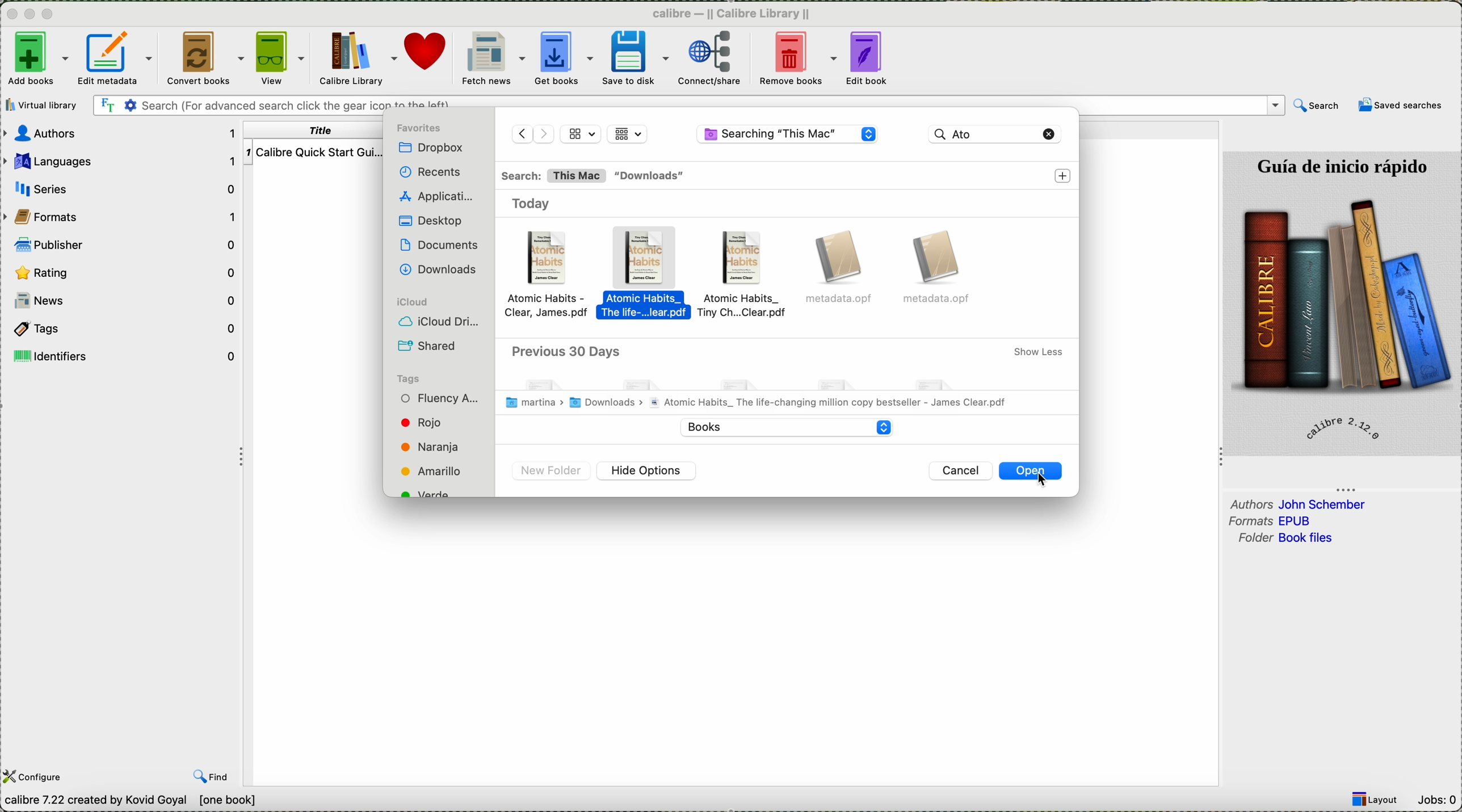 This screenshot has height=812, width=1462. Describe the element at coordinates (731, 15) in the screenshot. I see `Calibre` at that location.